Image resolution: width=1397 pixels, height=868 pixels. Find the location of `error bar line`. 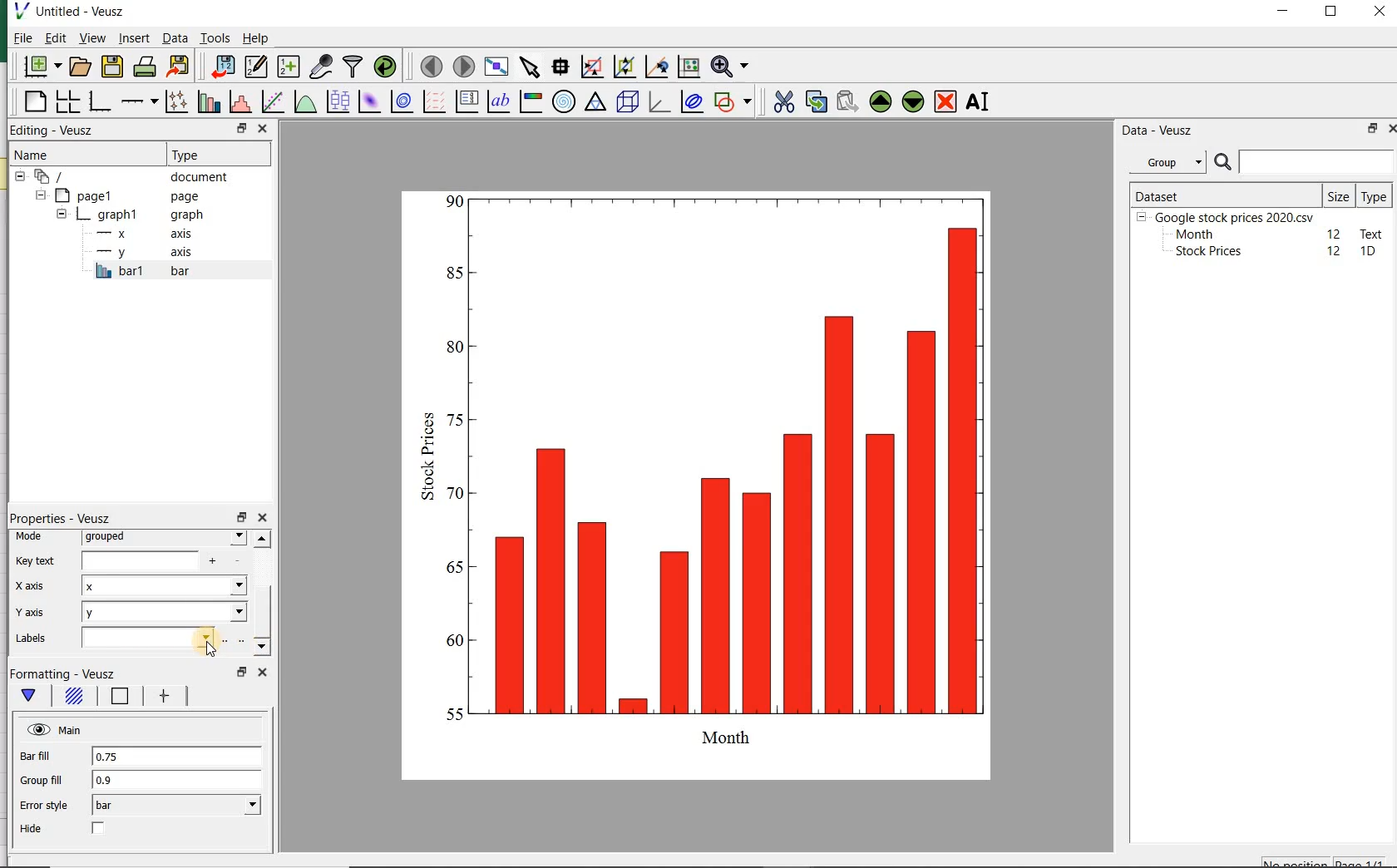

error bar line is located at coordinates (167, 696).